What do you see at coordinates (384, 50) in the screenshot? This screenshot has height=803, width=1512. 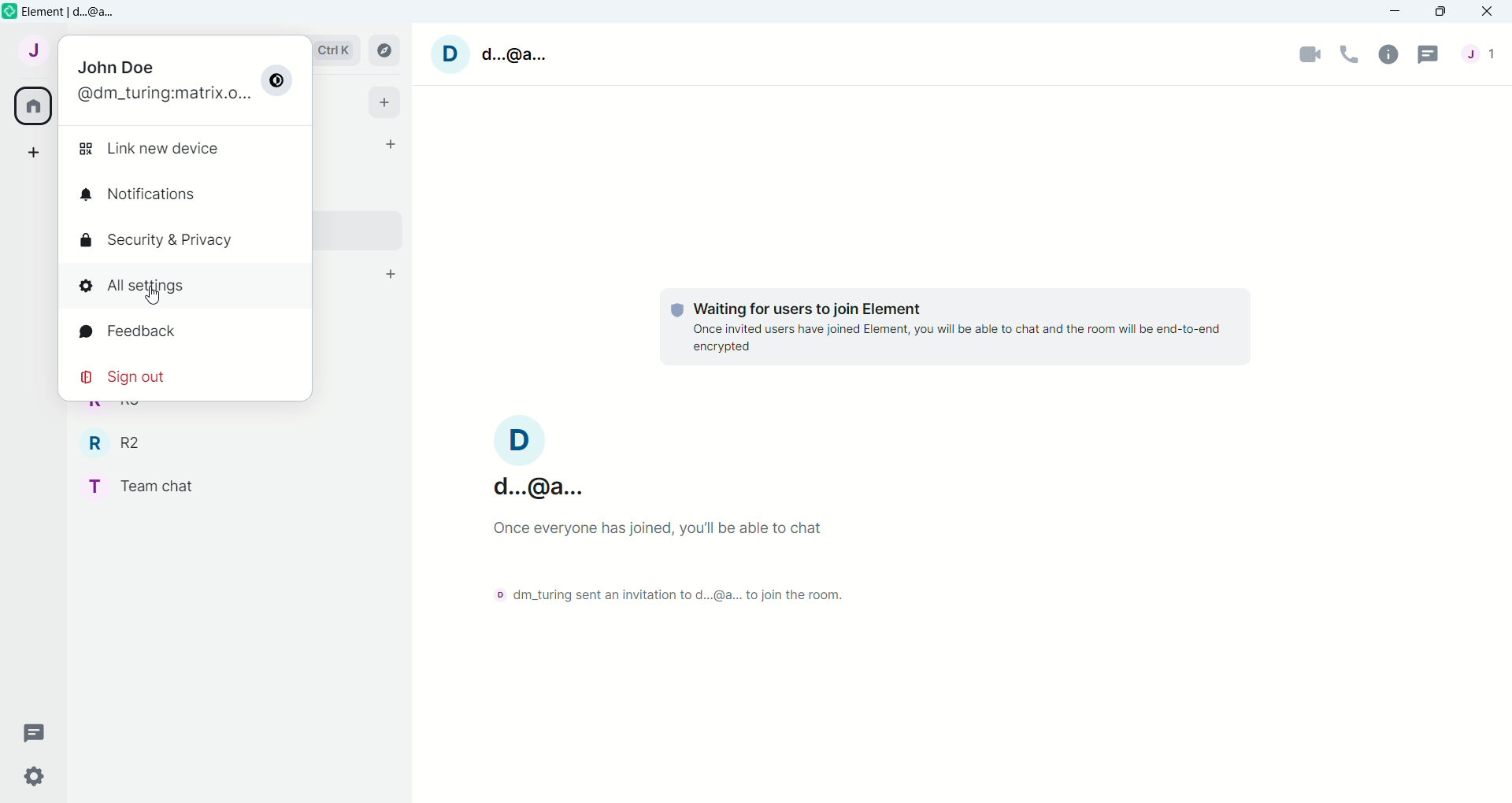 I see `Explore rooms` at bounding box center [384, 50].